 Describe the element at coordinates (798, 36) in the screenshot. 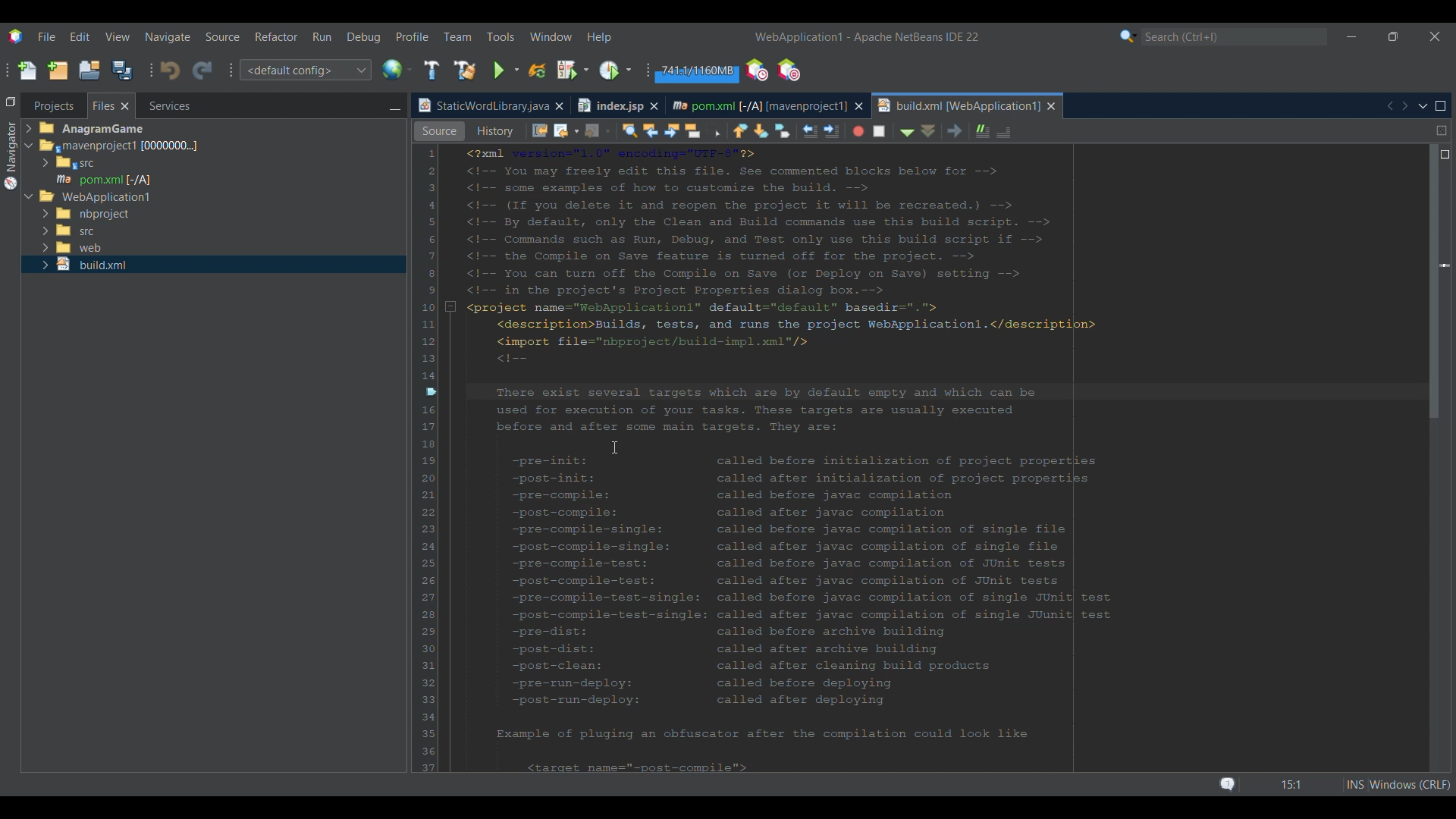

I see `Project name changed` at that location.